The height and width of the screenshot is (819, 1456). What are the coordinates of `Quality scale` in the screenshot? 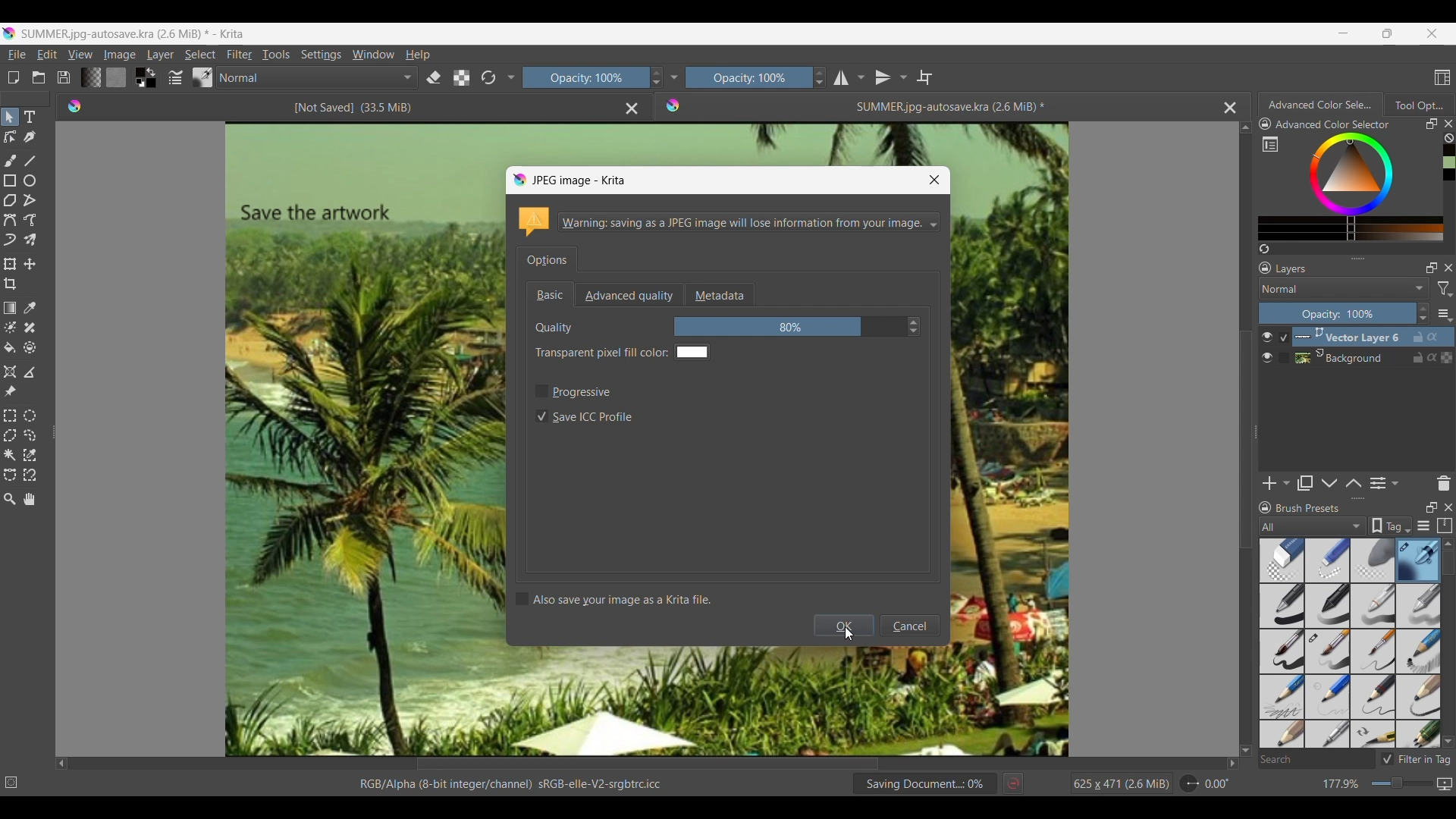 It's located at (789, 327).